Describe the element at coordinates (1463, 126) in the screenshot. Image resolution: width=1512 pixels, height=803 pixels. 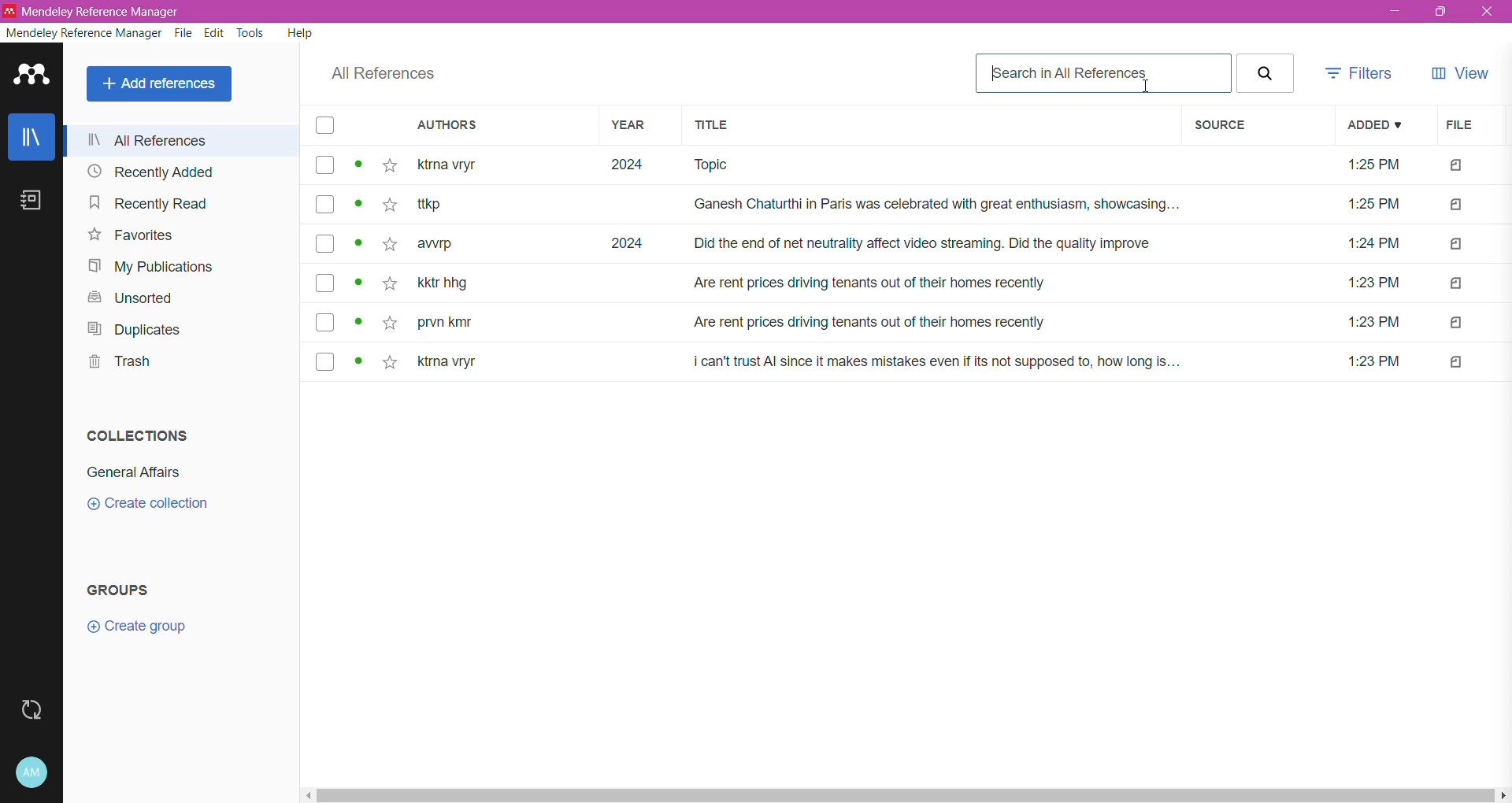
I see `File` at that location.